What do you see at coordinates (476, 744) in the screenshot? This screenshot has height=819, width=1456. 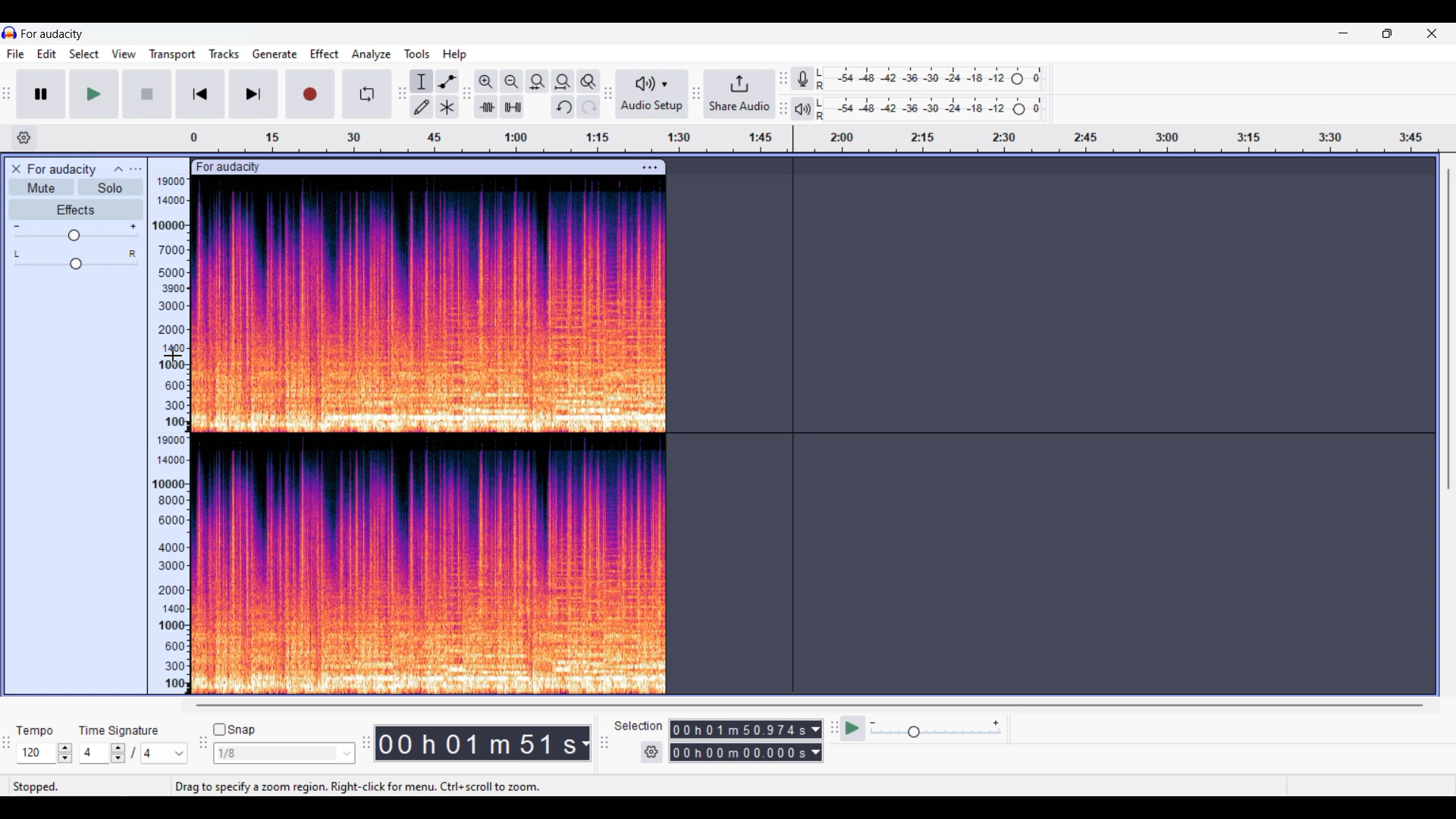 I see `Current duration` at bounding box center [476, 744].